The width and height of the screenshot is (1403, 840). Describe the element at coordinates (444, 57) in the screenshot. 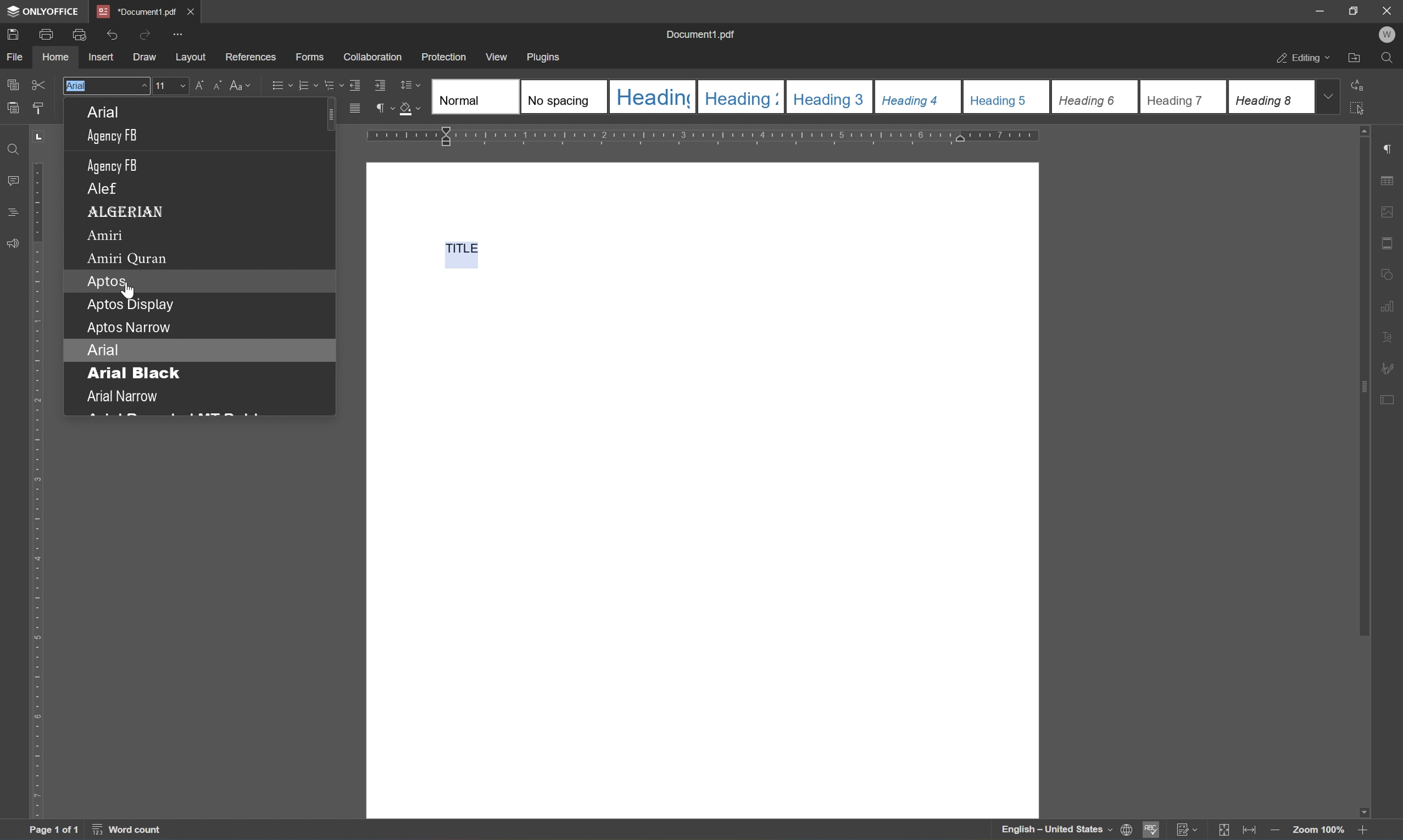

I see `protection` at that location.